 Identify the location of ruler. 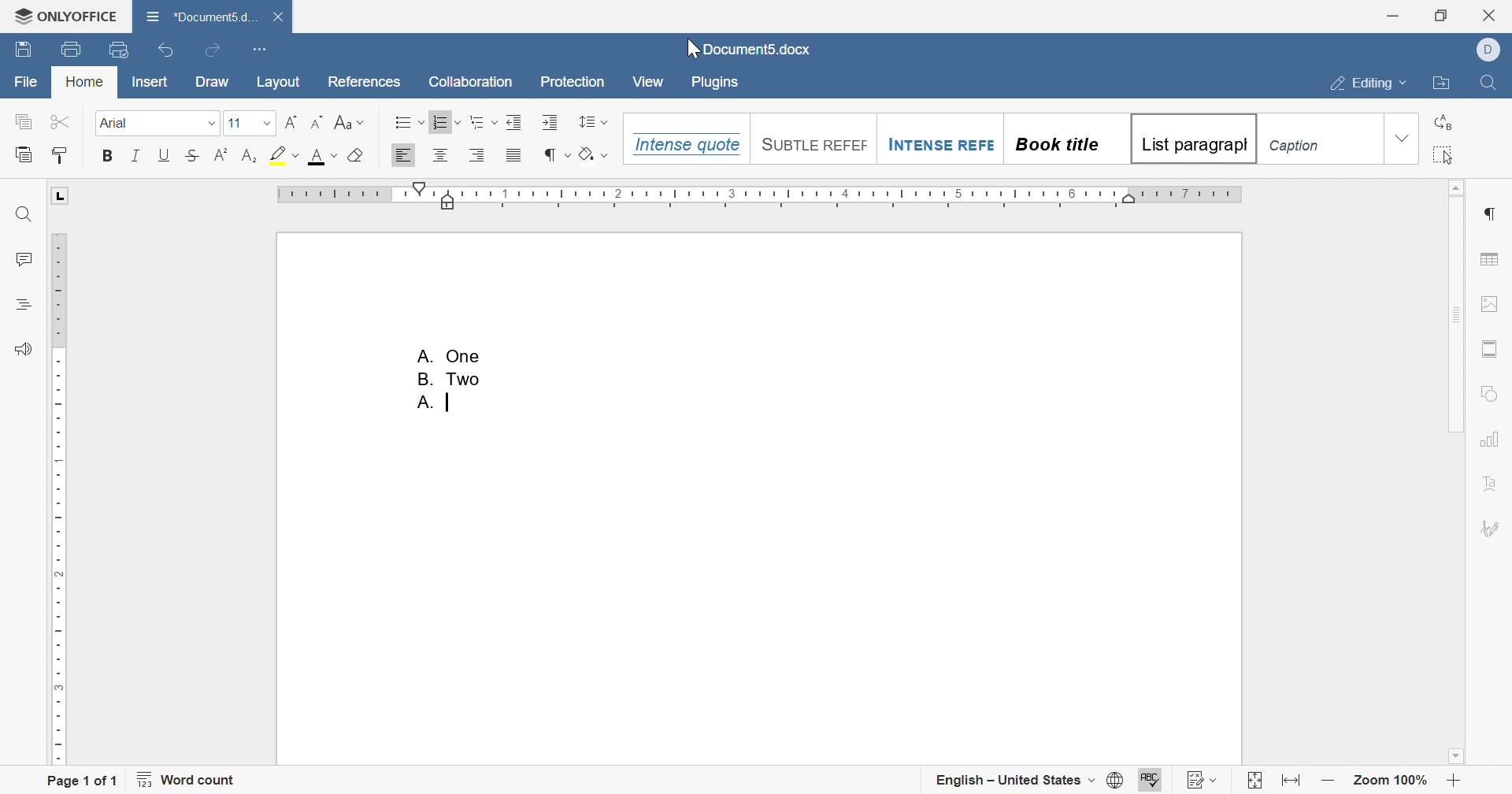
(760, 196).